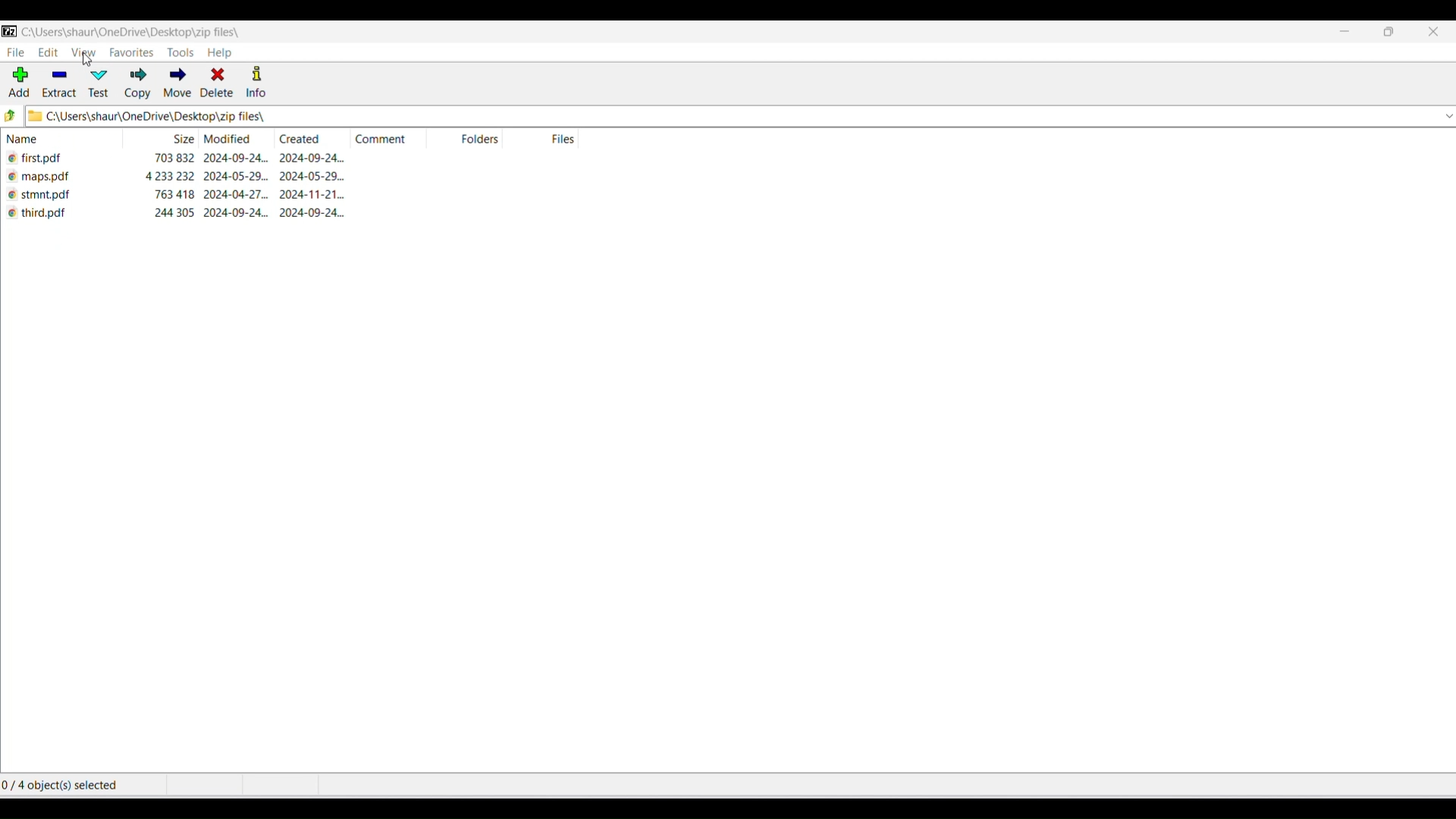 The image size is (1456, 819). Describe the element at coordinates (240, 215) in the screenshot. I see `modification date` at that location.